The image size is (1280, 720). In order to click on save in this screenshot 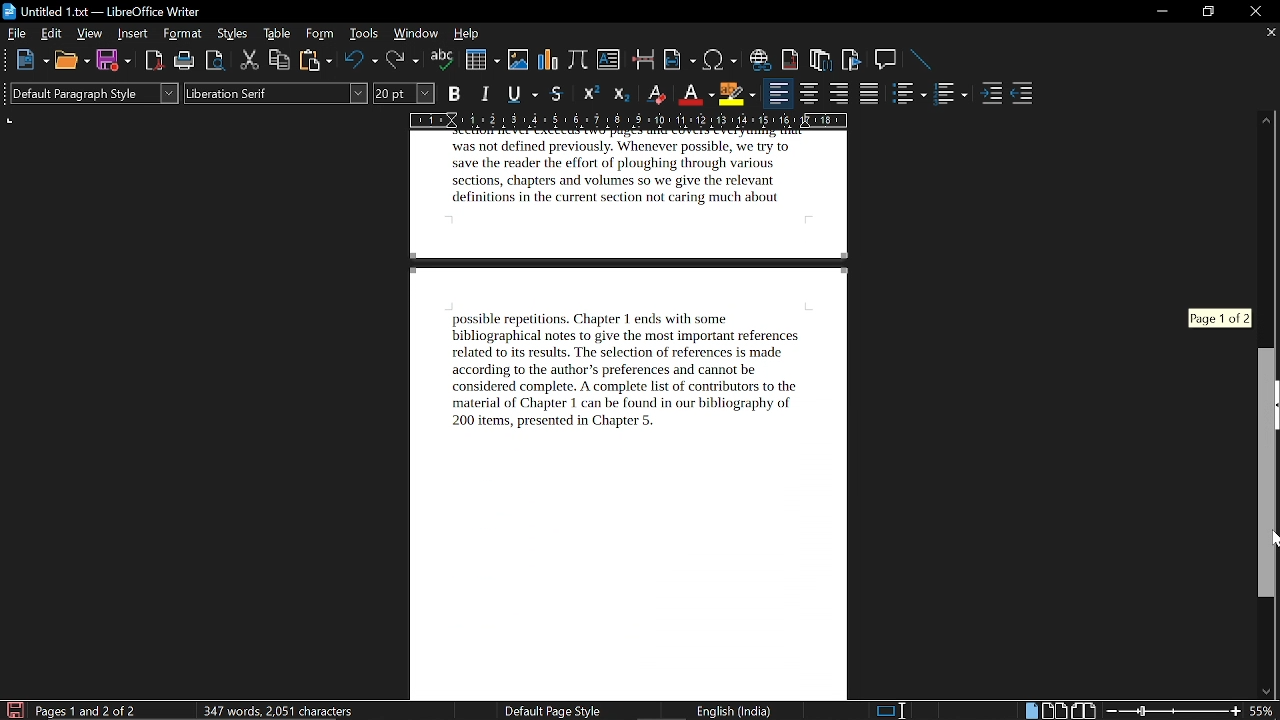, I will do `click(13, 710)`.